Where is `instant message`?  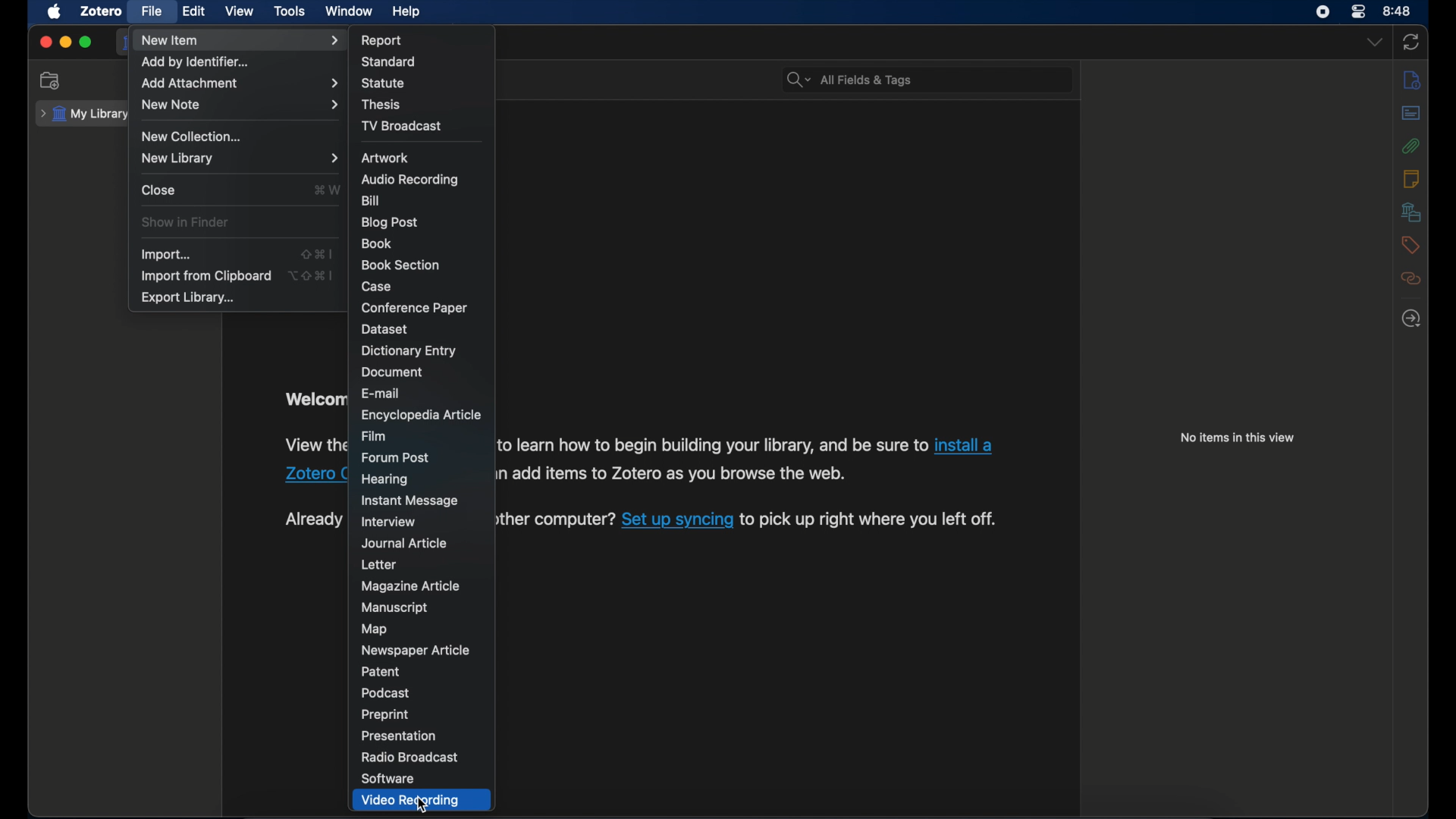 instant message is located at coordinates (409, 500).